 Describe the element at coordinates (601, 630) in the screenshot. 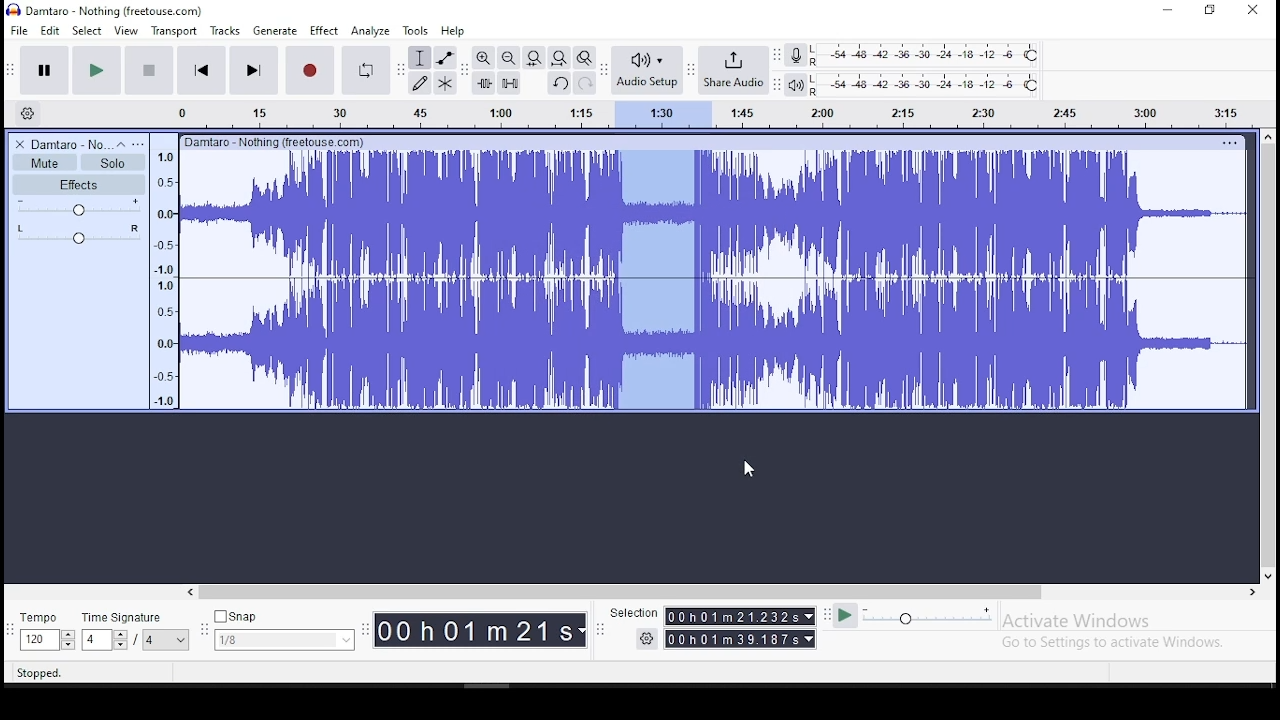

I see `` at that location.